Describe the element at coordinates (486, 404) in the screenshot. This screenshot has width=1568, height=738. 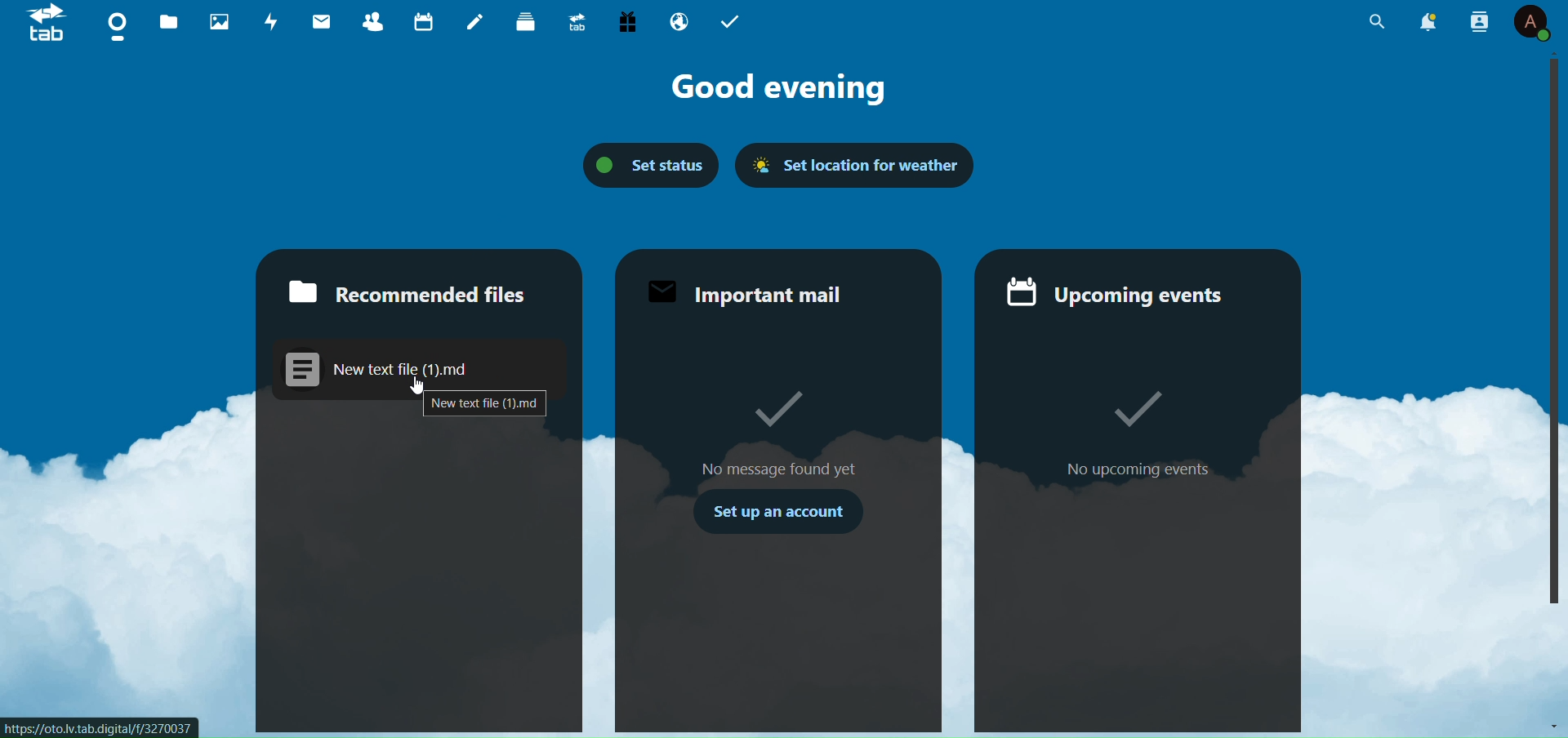
I see `new text file` at that location.